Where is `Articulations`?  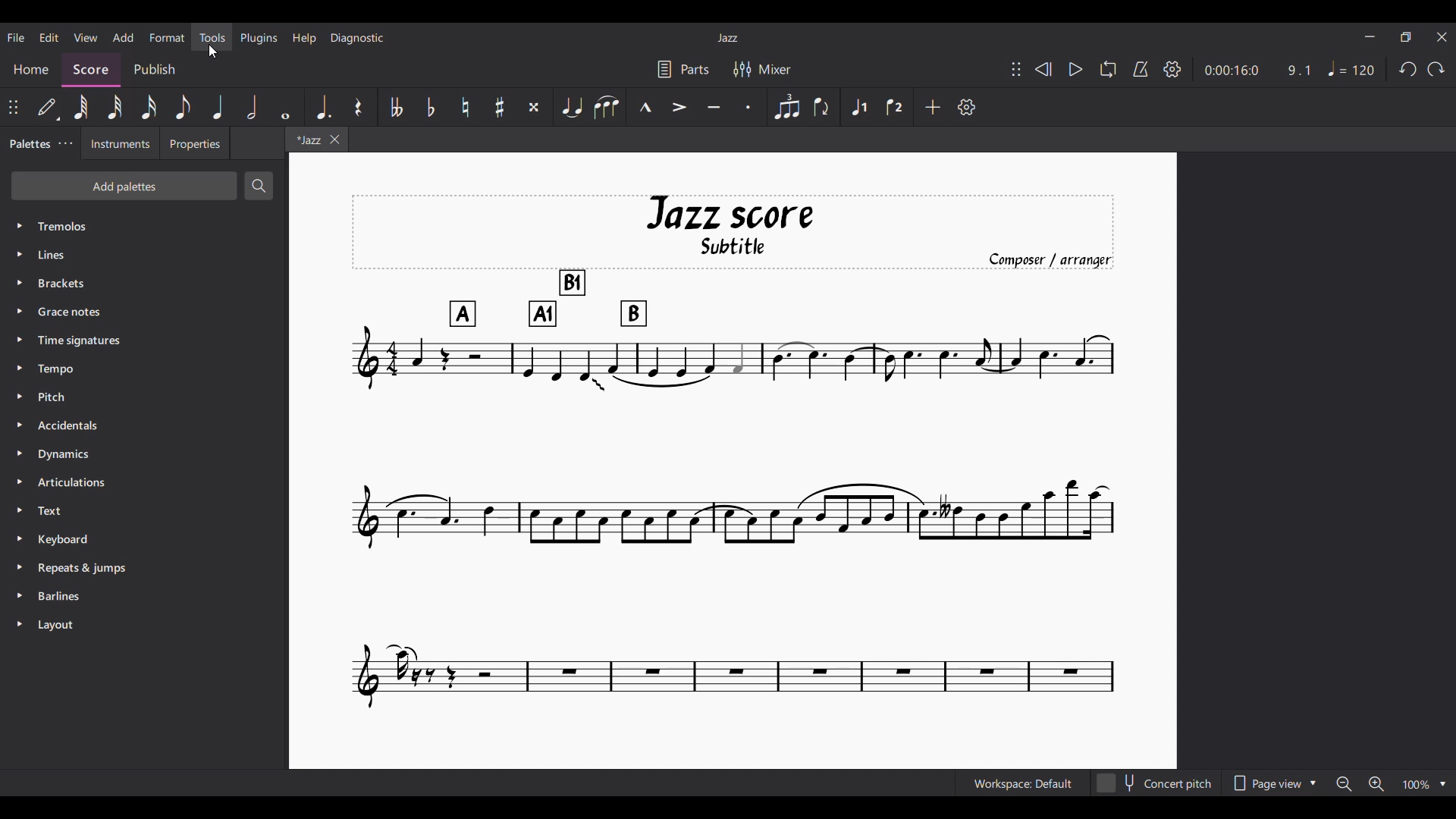 Articulations is located at coordinates (143, 482).